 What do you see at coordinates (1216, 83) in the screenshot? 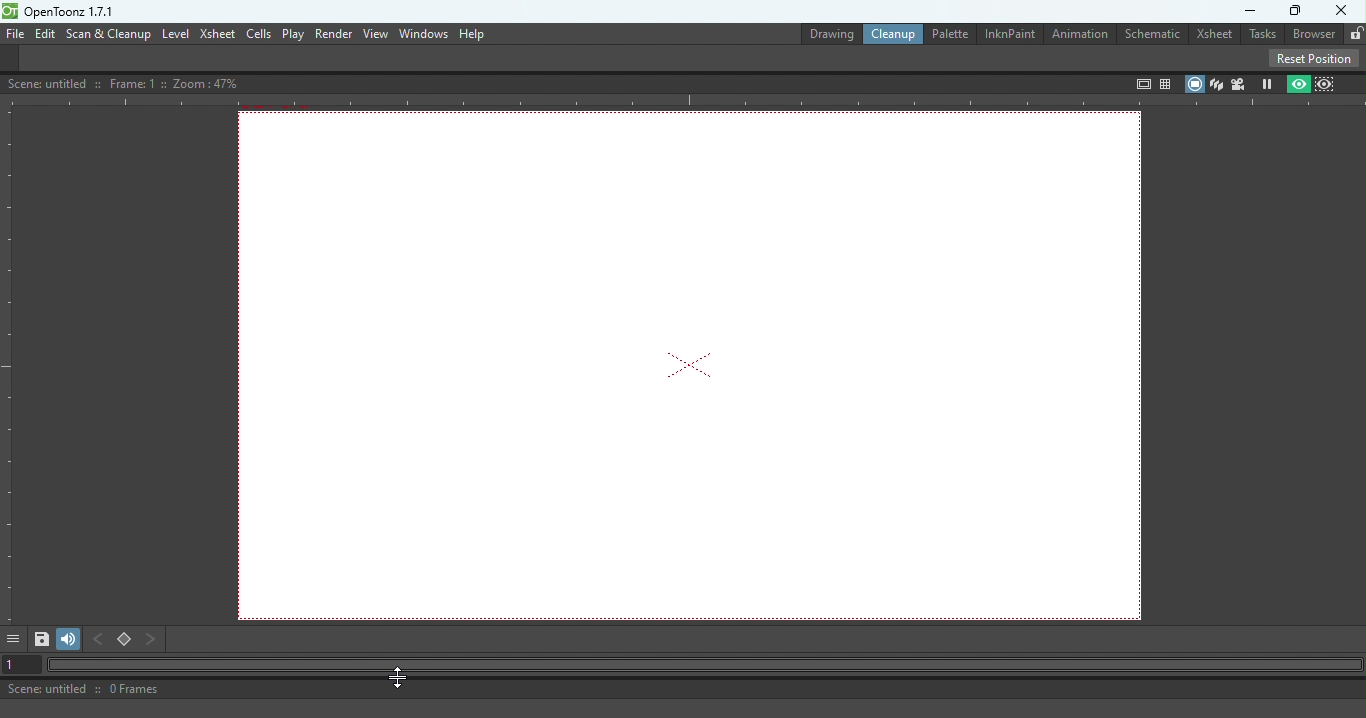
I see `3D View` at bounding box center [1216, 83].